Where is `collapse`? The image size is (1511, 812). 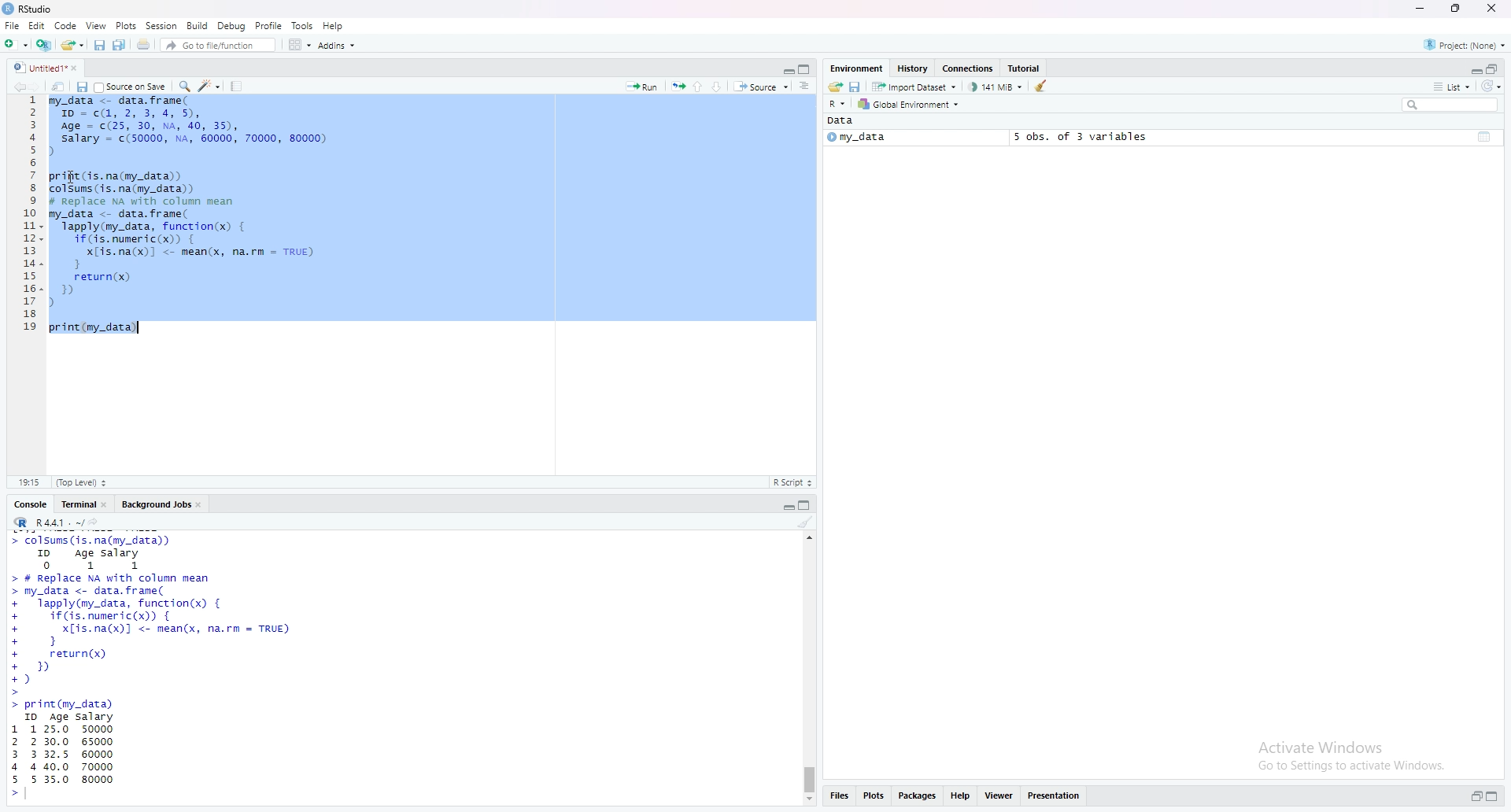
collapse is located at coordinates (1496, 797).